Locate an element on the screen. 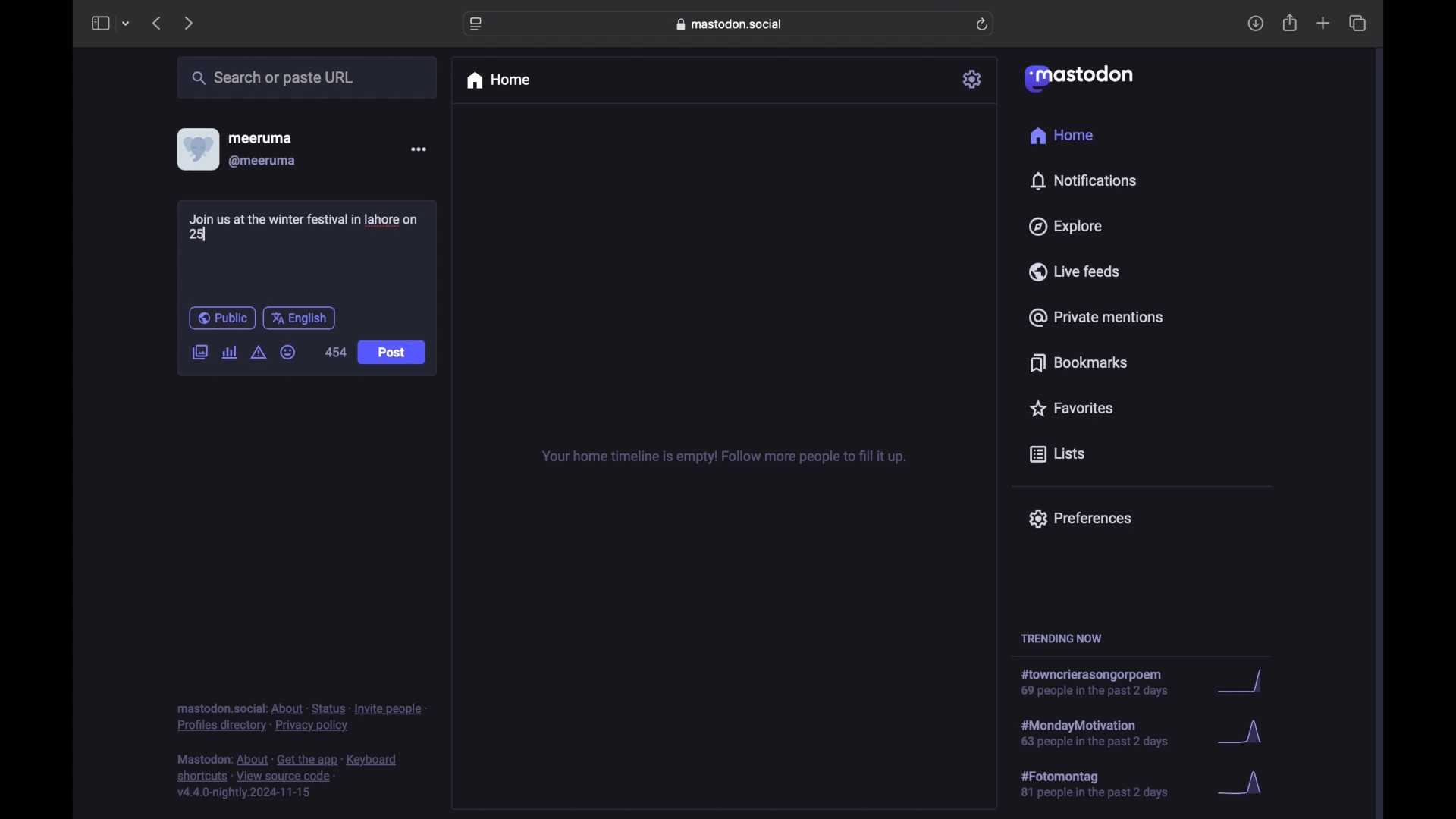  show tab overview is located at coordinates (1357, 24).